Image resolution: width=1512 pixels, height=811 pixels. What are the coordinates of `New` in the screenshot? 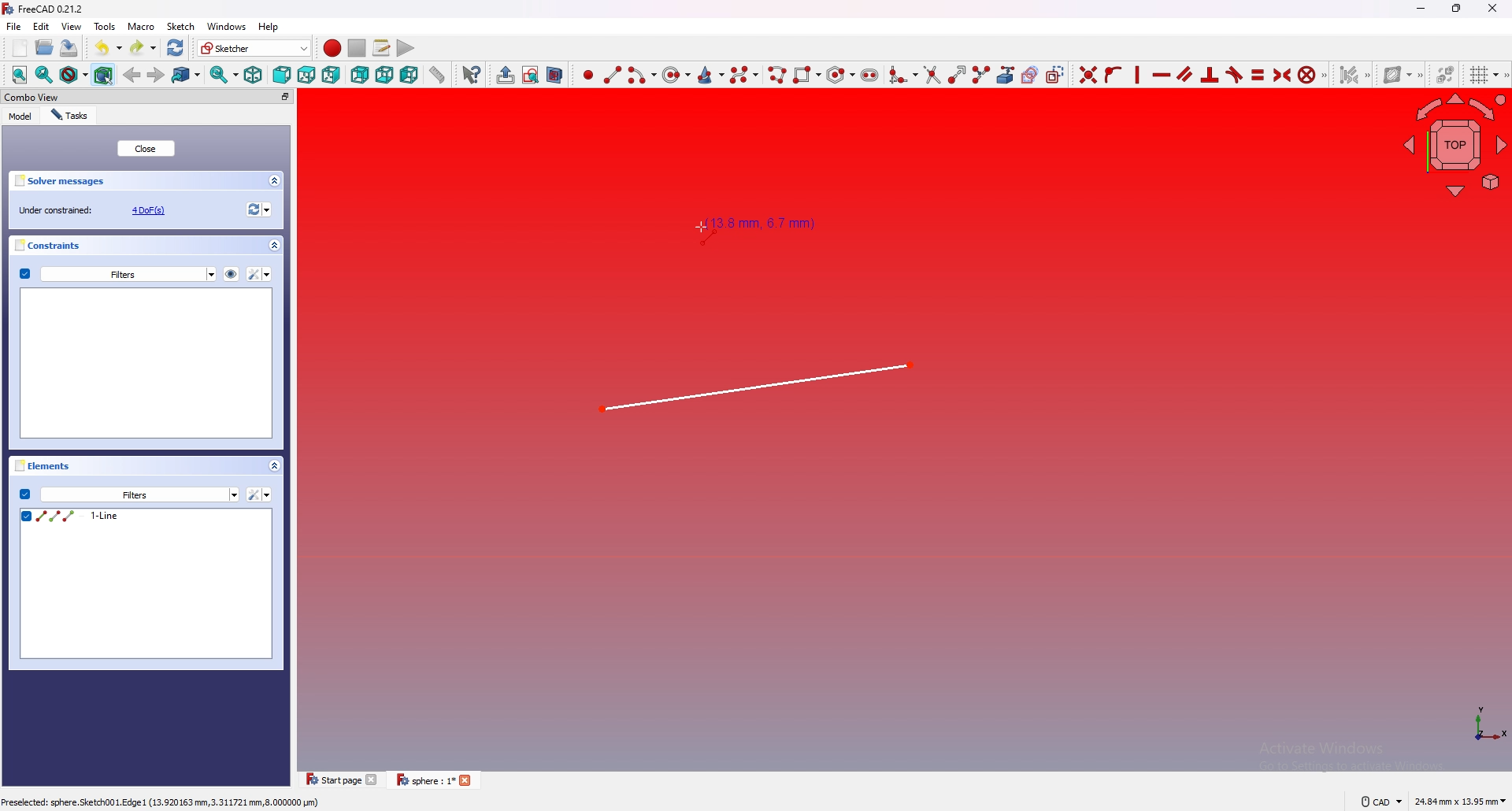 It's located at (21, 48).